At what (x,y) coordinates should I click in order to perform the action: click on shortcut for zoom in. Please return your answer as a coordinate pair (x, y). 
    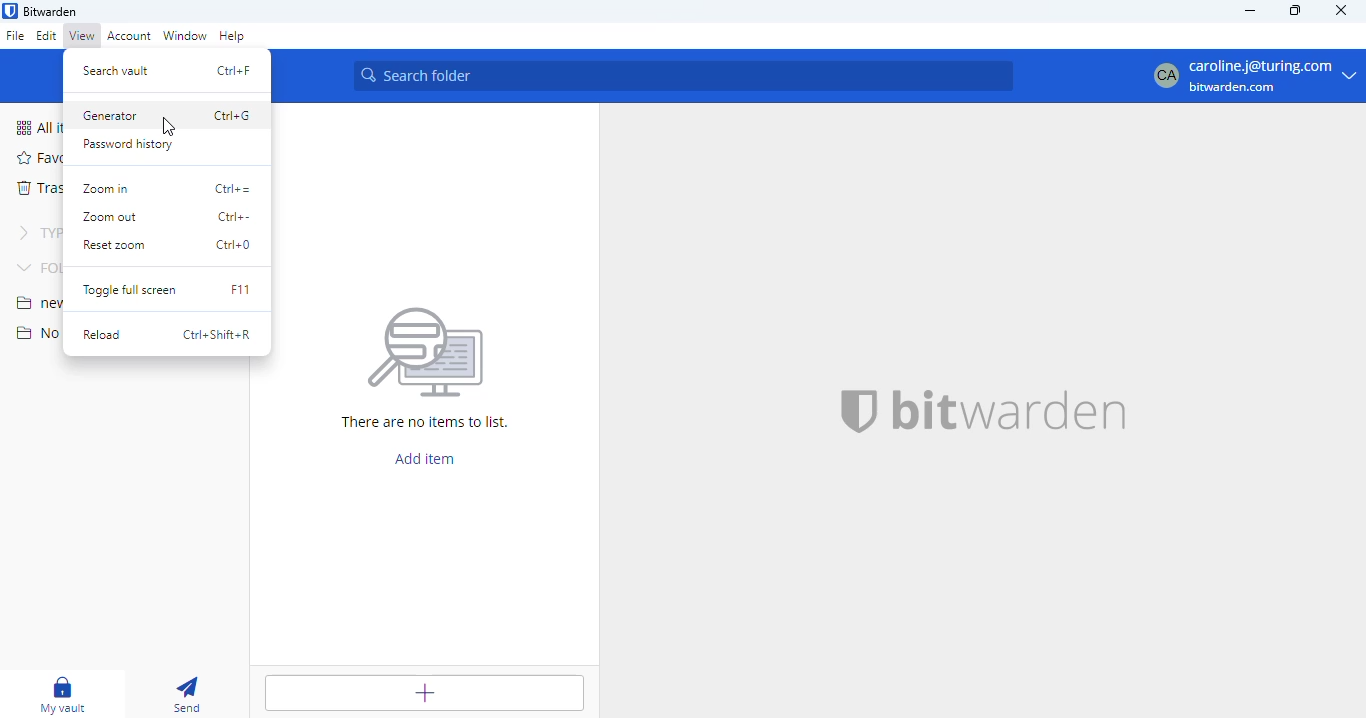
    Looking at the image, I should click on (232, 188).